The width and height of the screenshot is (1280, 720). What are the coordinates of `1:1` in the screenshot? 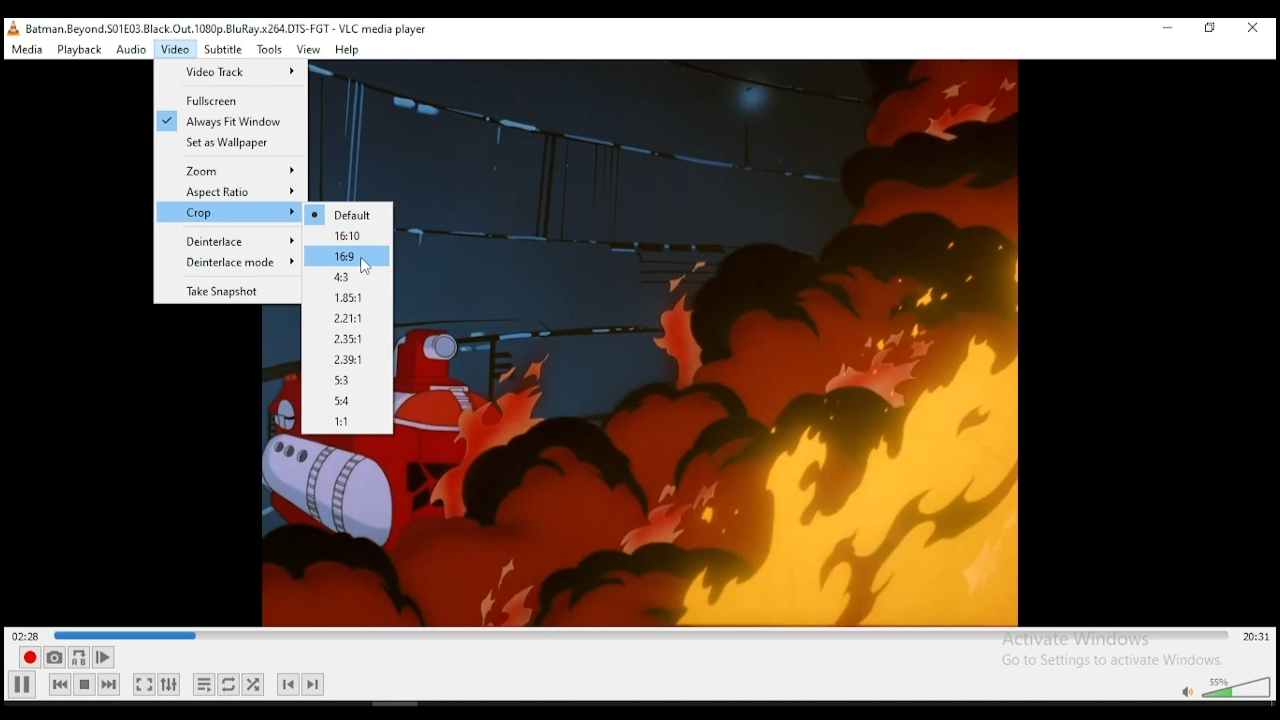 It's located at (346, 424).